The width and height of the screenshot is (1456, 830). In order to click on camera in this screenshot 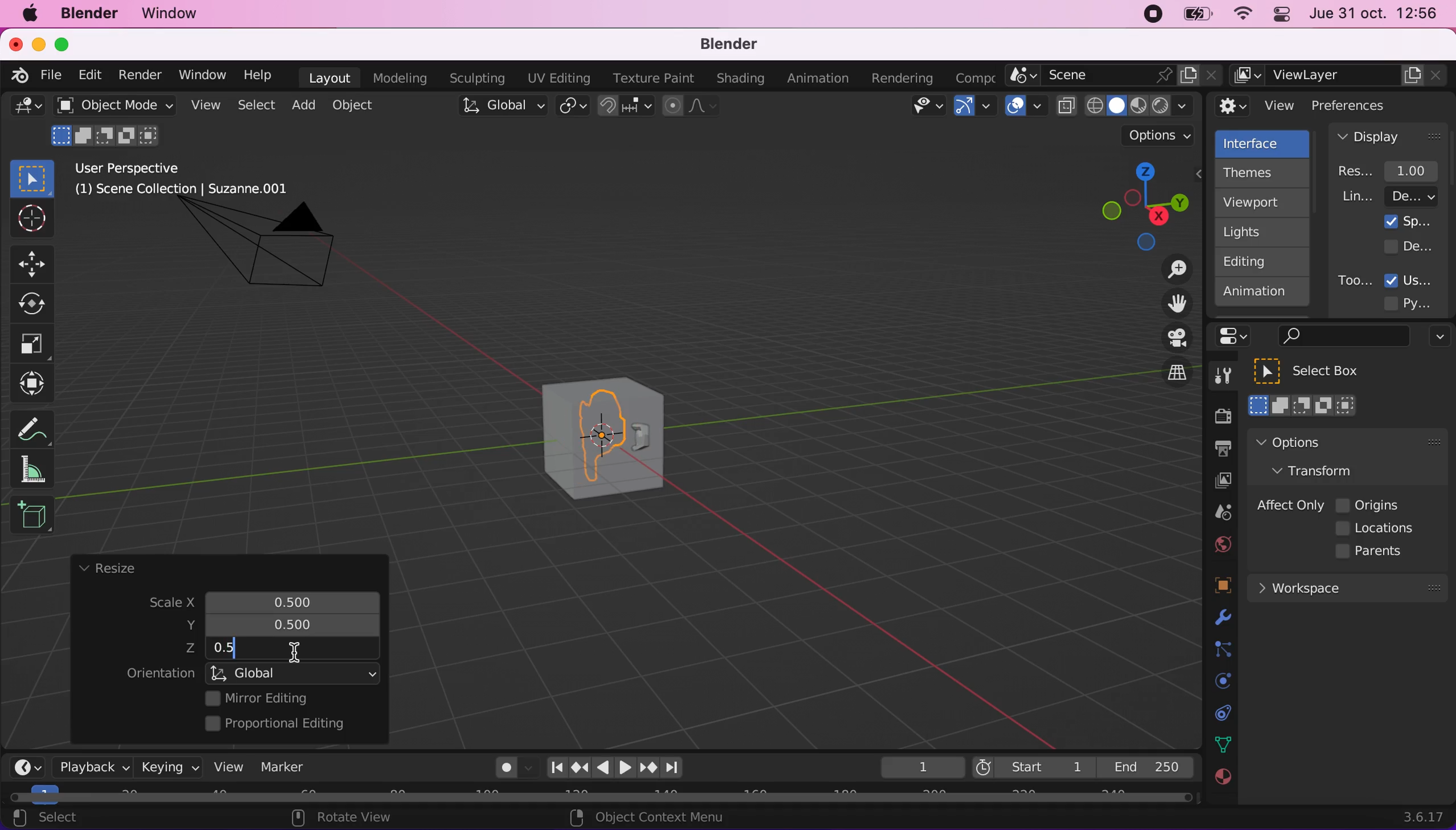, I will do `click(272, 255)`.